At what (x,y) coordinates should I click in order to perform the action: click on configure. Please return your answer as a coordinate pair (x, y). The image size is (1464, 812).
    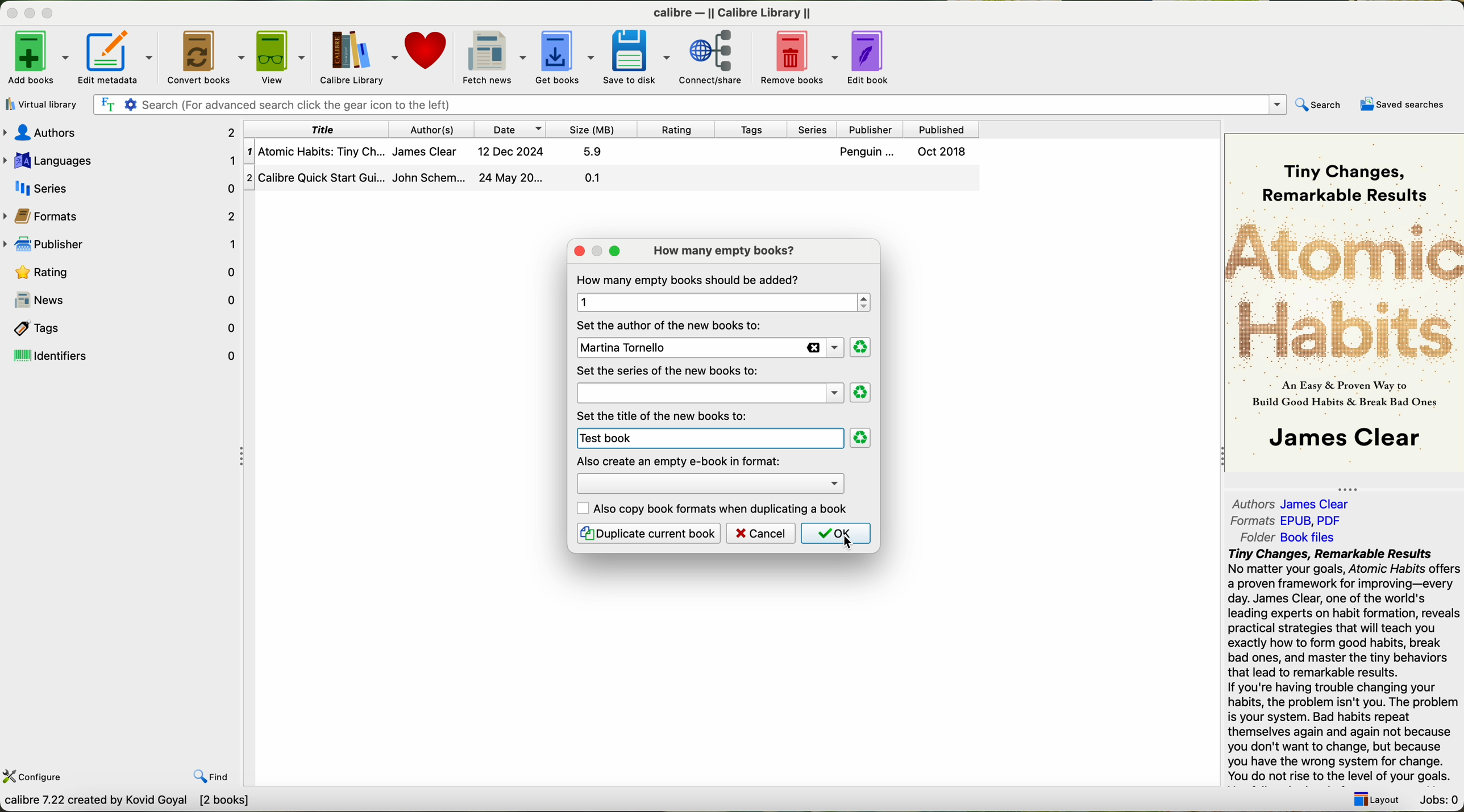
    Looking at the image, I should click on (35, 777).